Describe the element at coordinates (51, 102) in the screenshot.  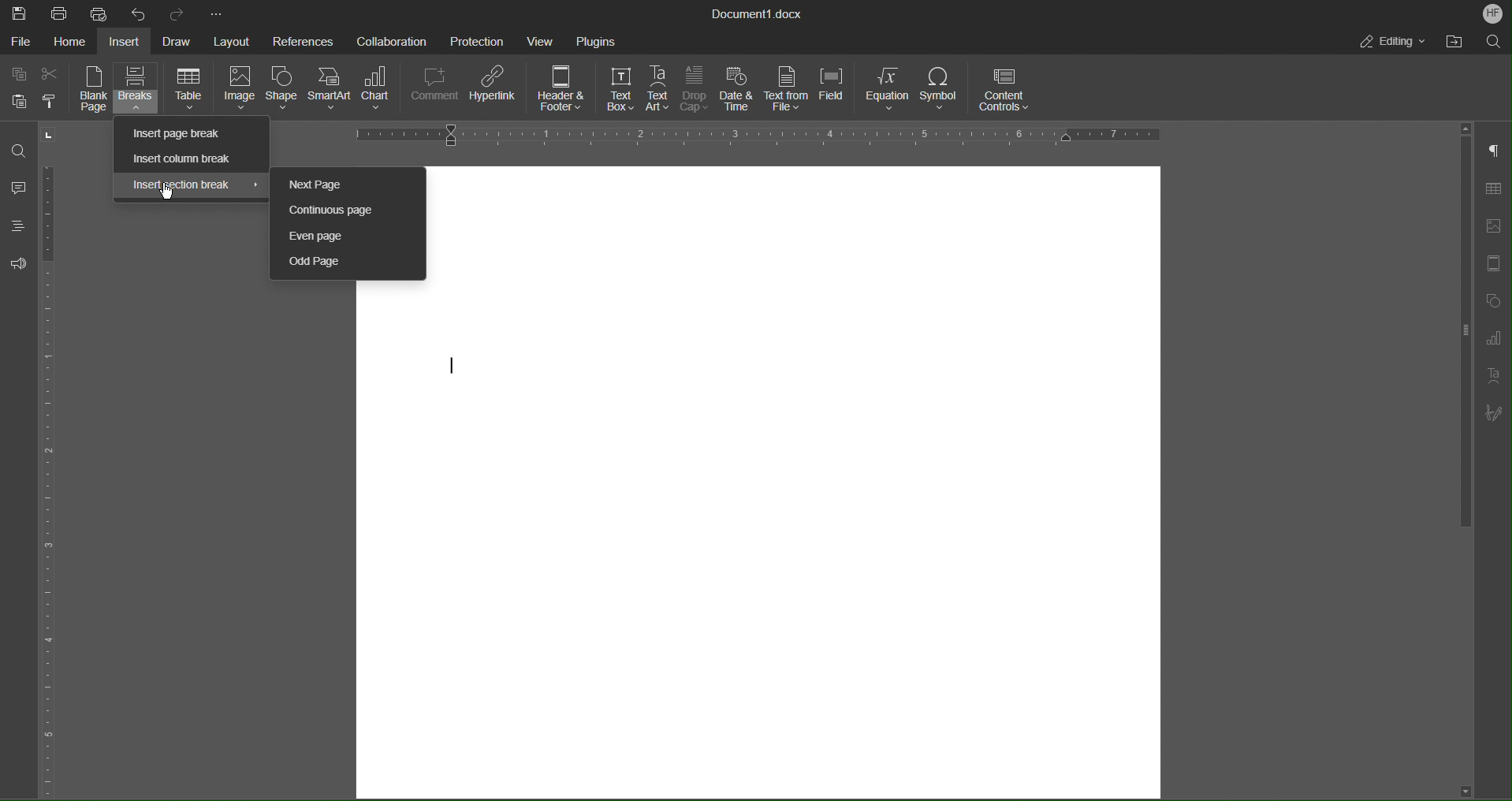
I see `Copy Style` at that location.